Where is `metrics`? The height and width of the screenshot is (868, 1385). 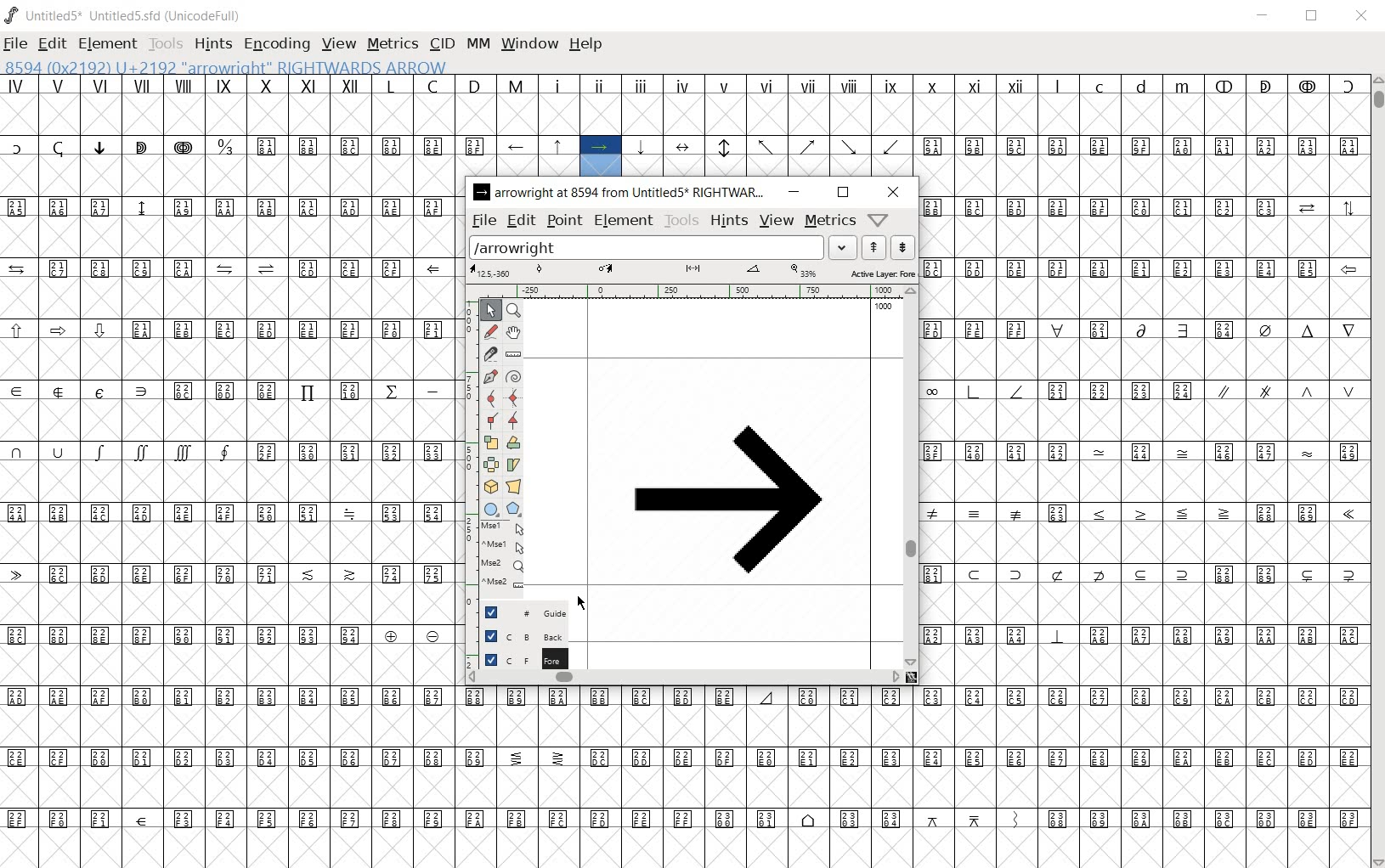
metrics is located at coordinates (831, 219).